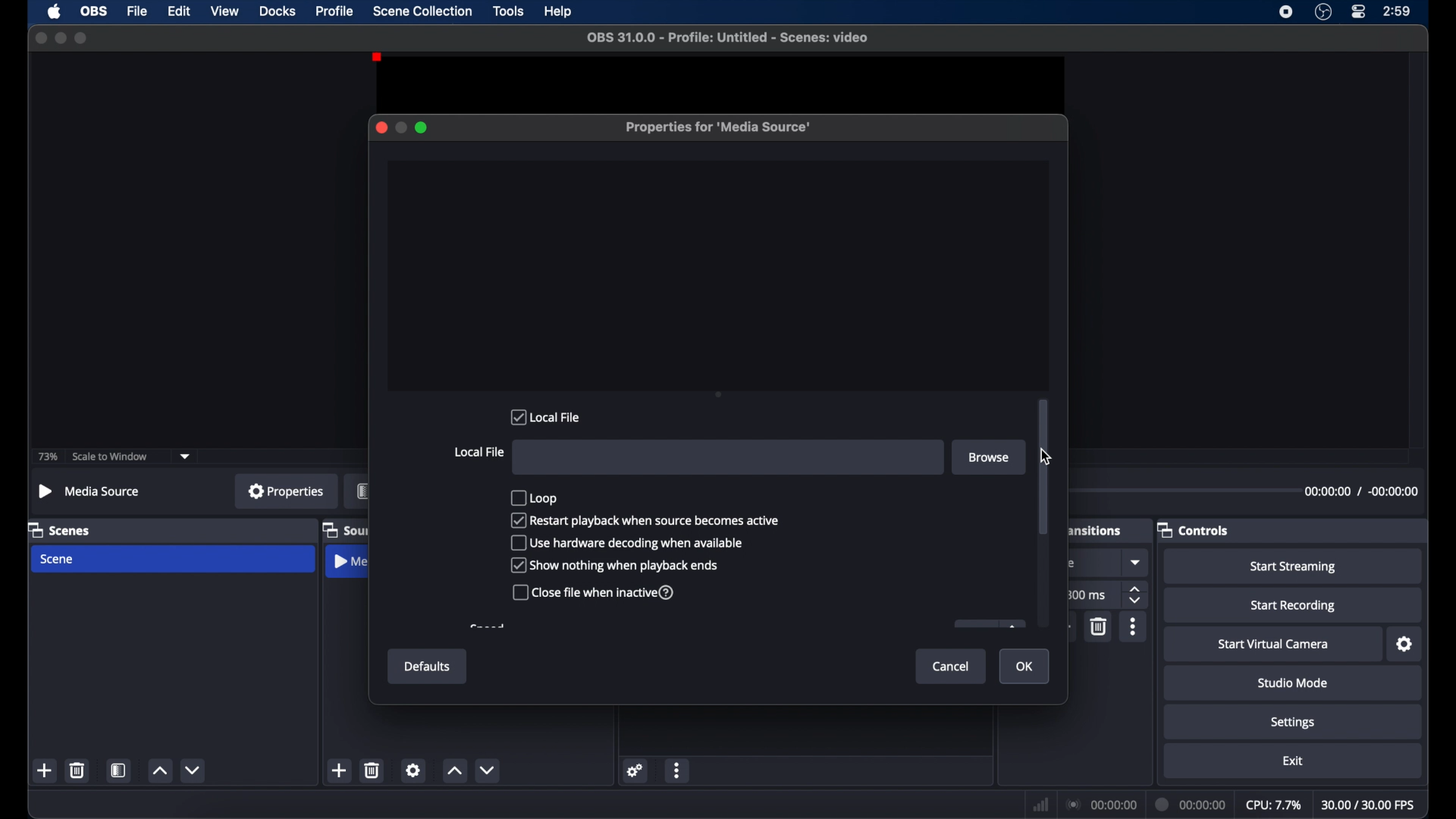  Describe the element at coordinates (487, 771) in the screenshot. I see `decrement` at that location.